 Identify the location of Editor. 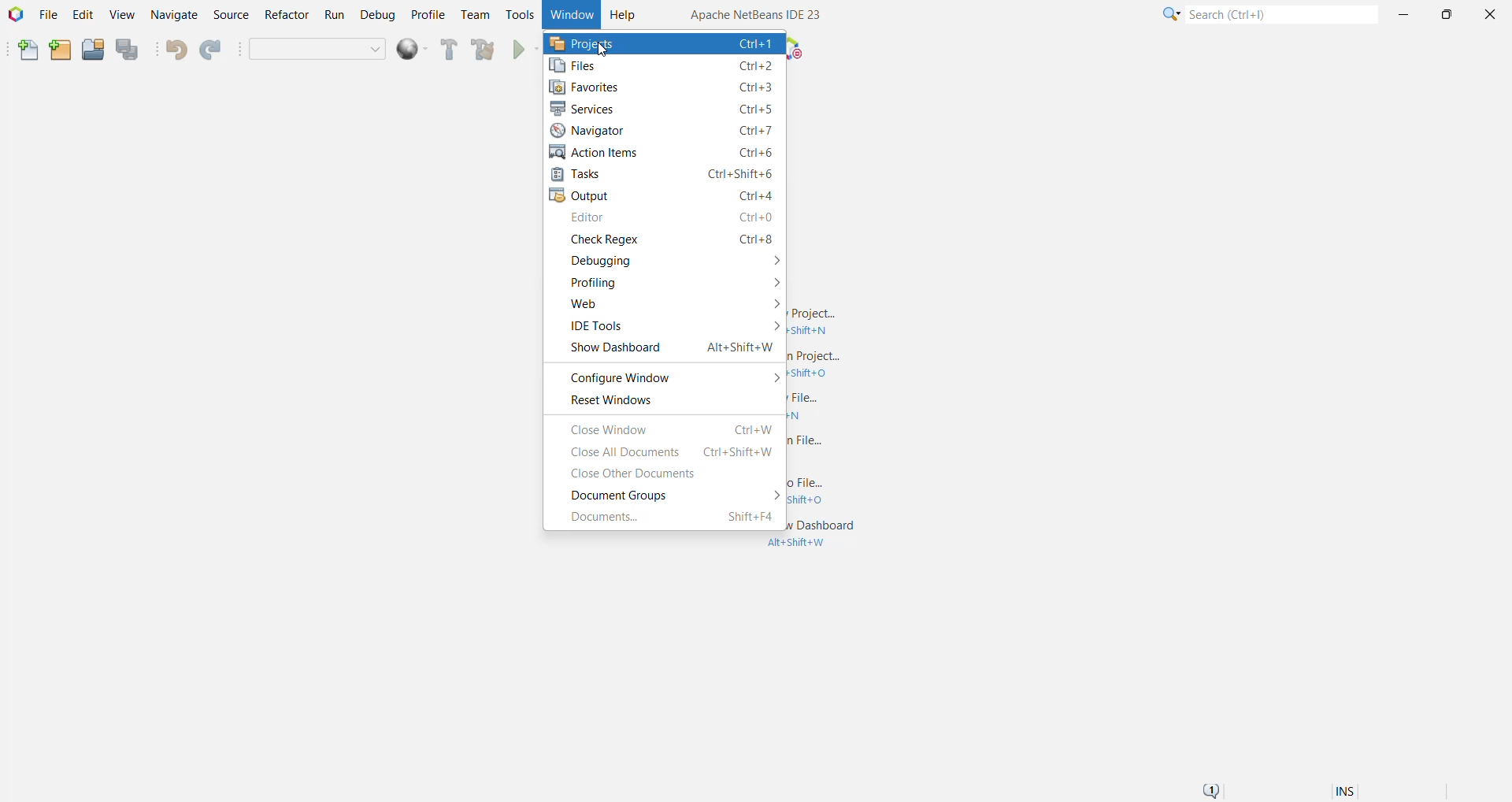
(670, 219).